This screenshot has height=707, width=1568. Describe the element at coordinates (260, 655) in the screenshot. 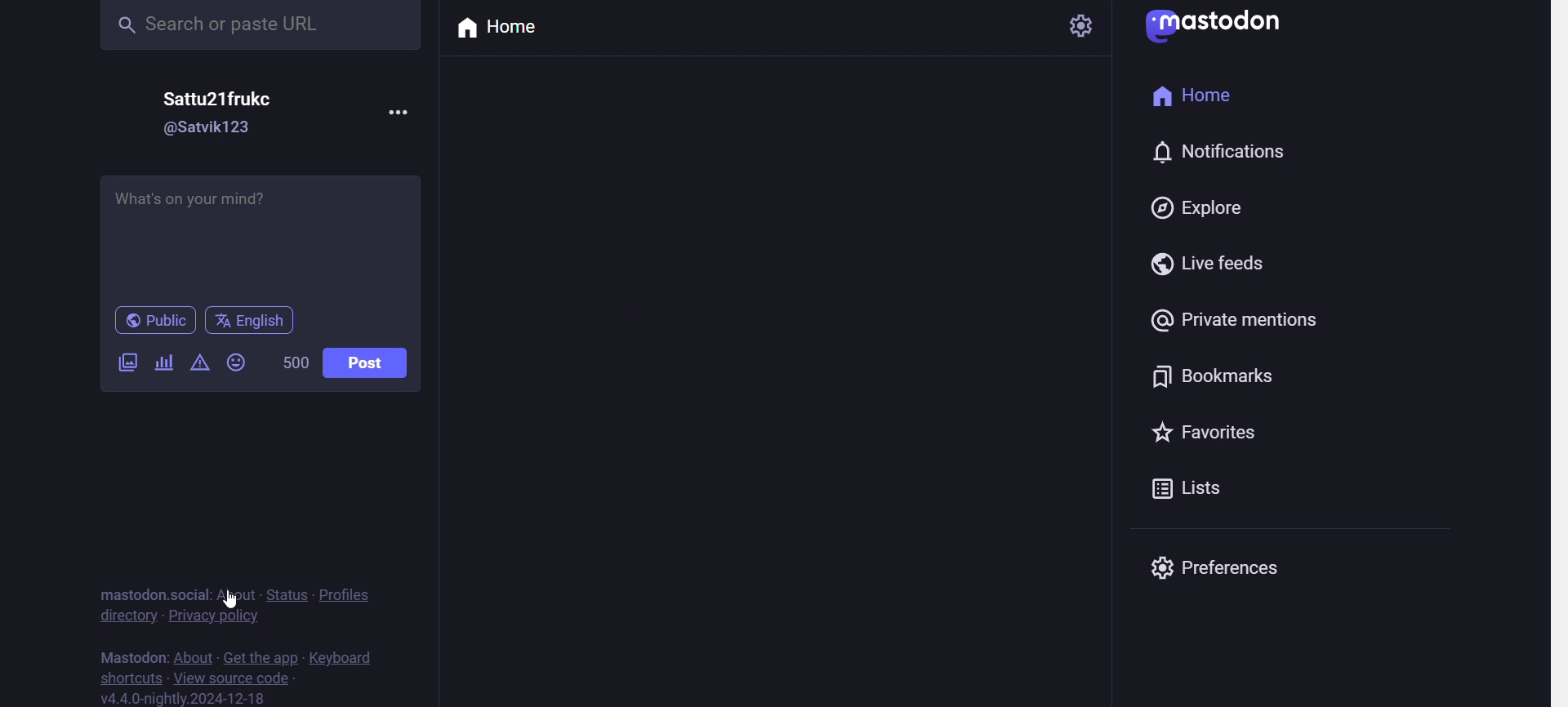

I see `get the app` at that location.